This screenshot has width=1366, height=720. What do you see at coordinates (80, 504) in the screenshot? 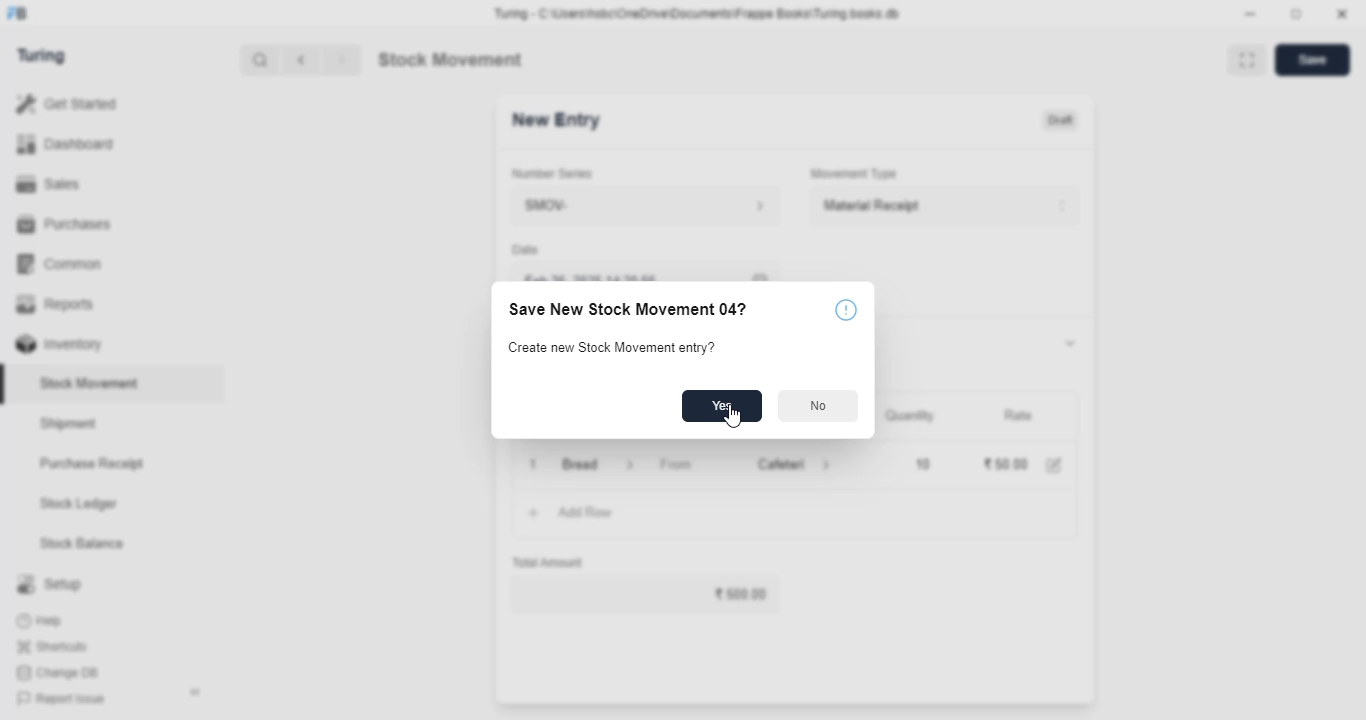
I see `stock ledger` at bounding box center [80, 504].